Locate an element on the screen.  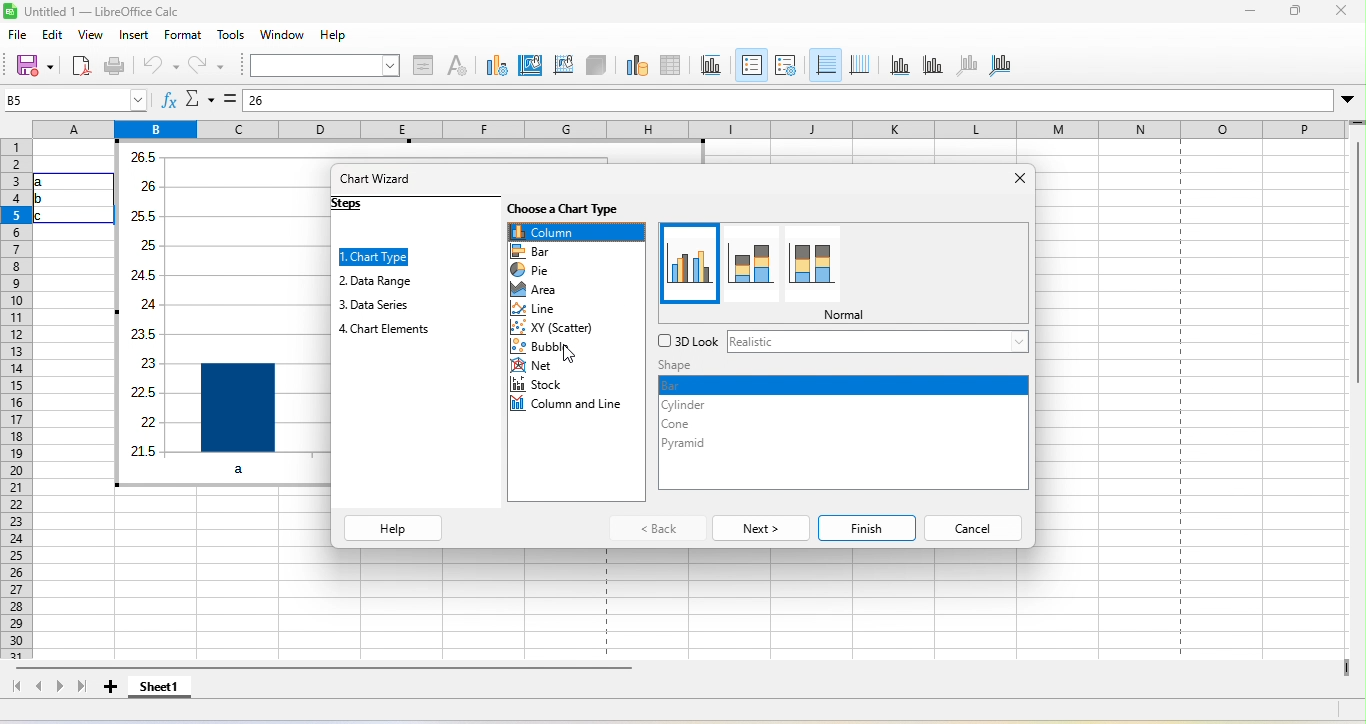
save is located at coordinates (37, 66).